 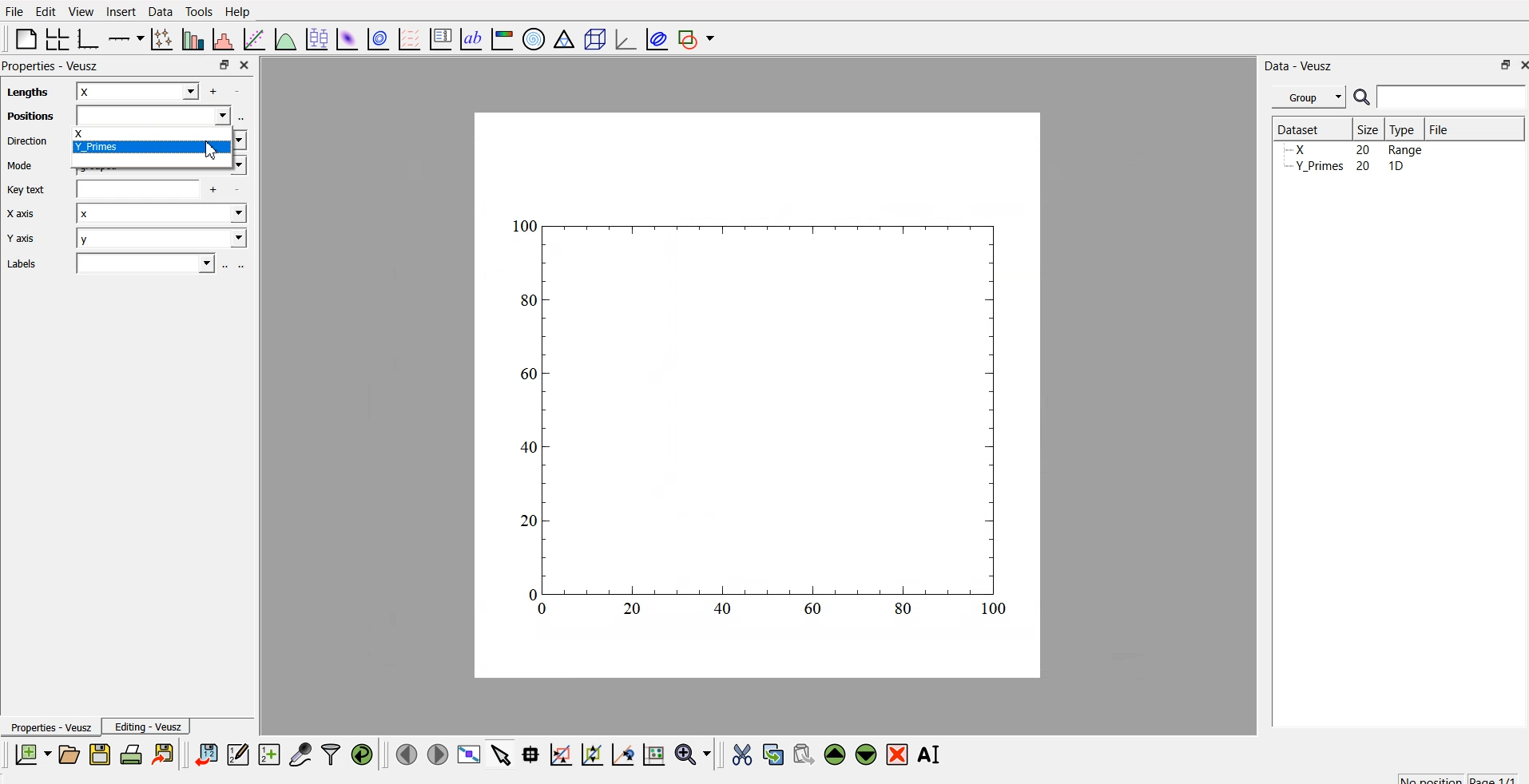 What do you see at coordinates (502, 41) in the screenshot?
I see `image color bar ` at bounding box center [502, 41].